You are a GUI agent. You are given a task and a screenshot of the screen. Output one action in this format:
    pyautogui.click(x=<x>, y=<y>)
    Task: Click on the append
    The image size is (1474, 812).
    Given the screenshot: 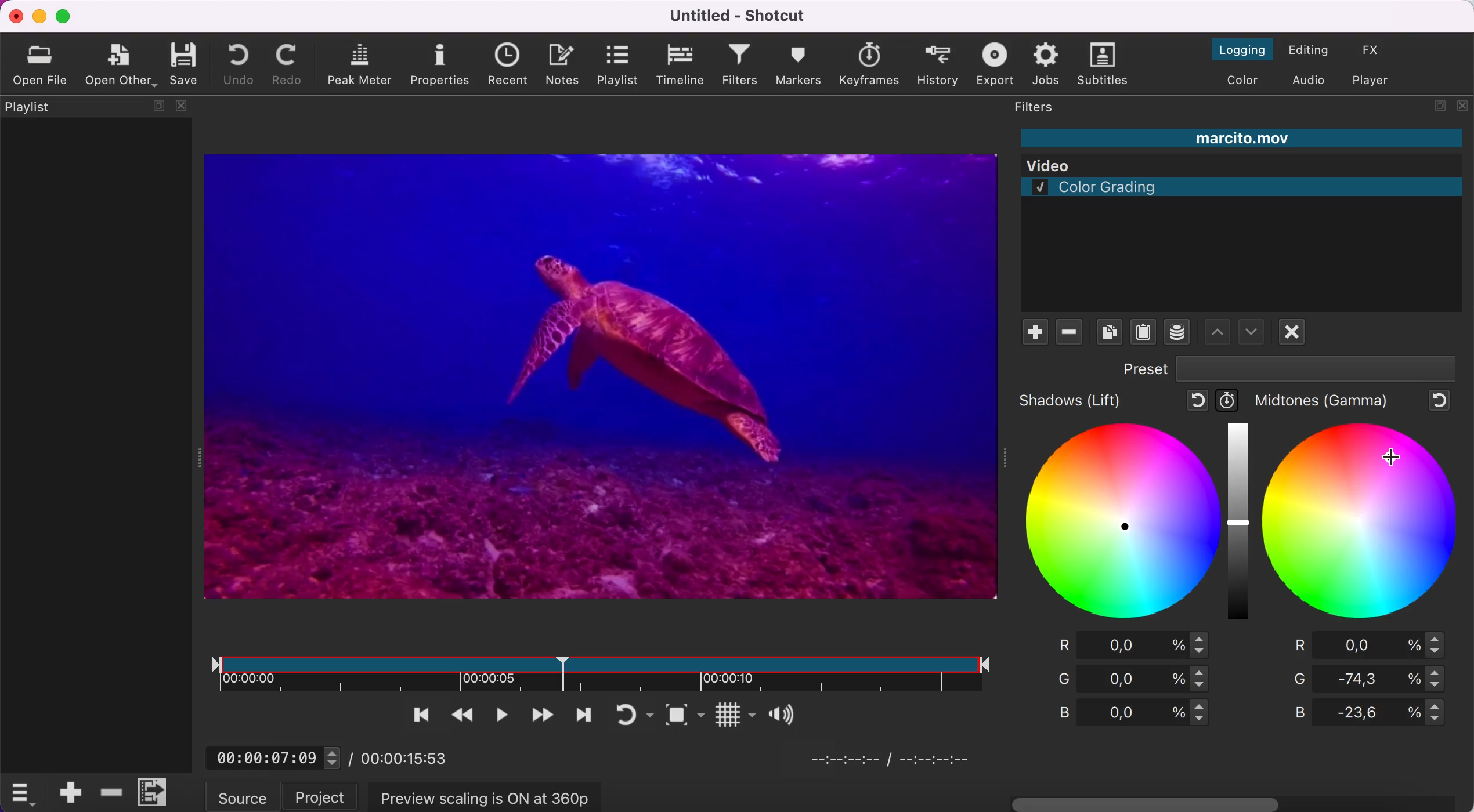 What is the action you would take?
    pyautogui.click(x=68, y=792)
    